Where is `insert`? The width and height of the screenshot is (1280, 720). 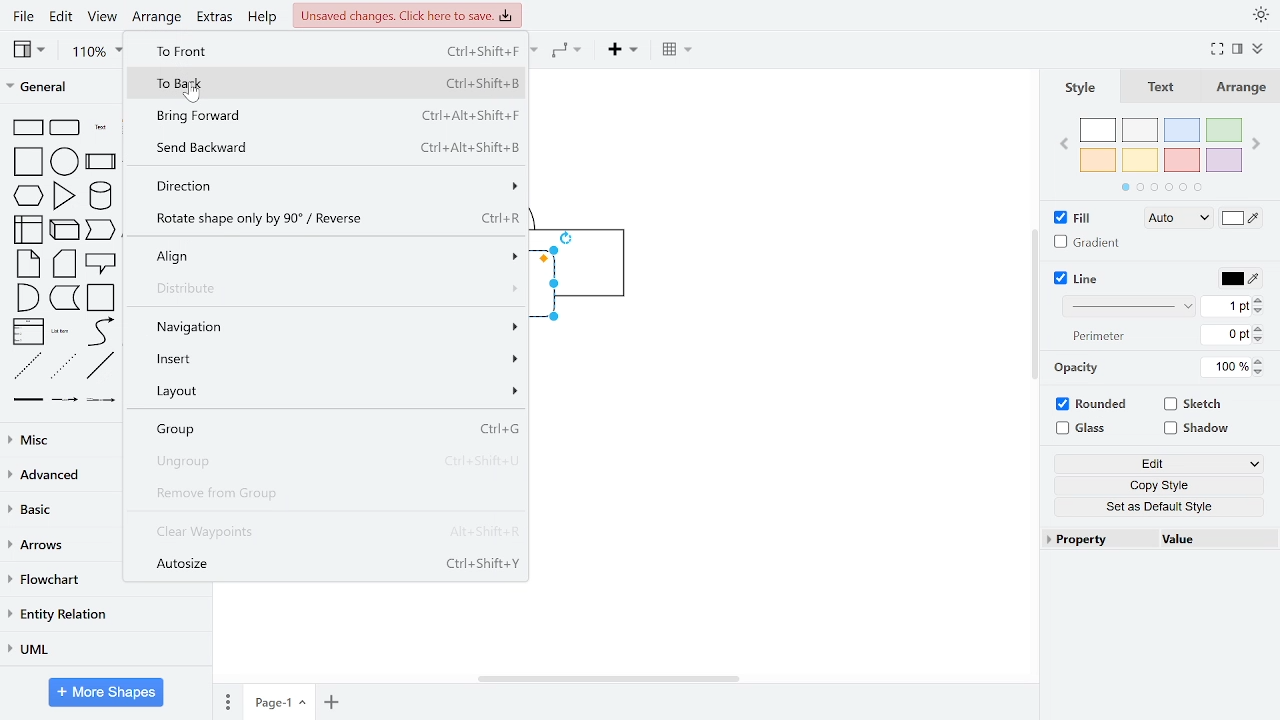 insert is located at coordinates (331, 359).